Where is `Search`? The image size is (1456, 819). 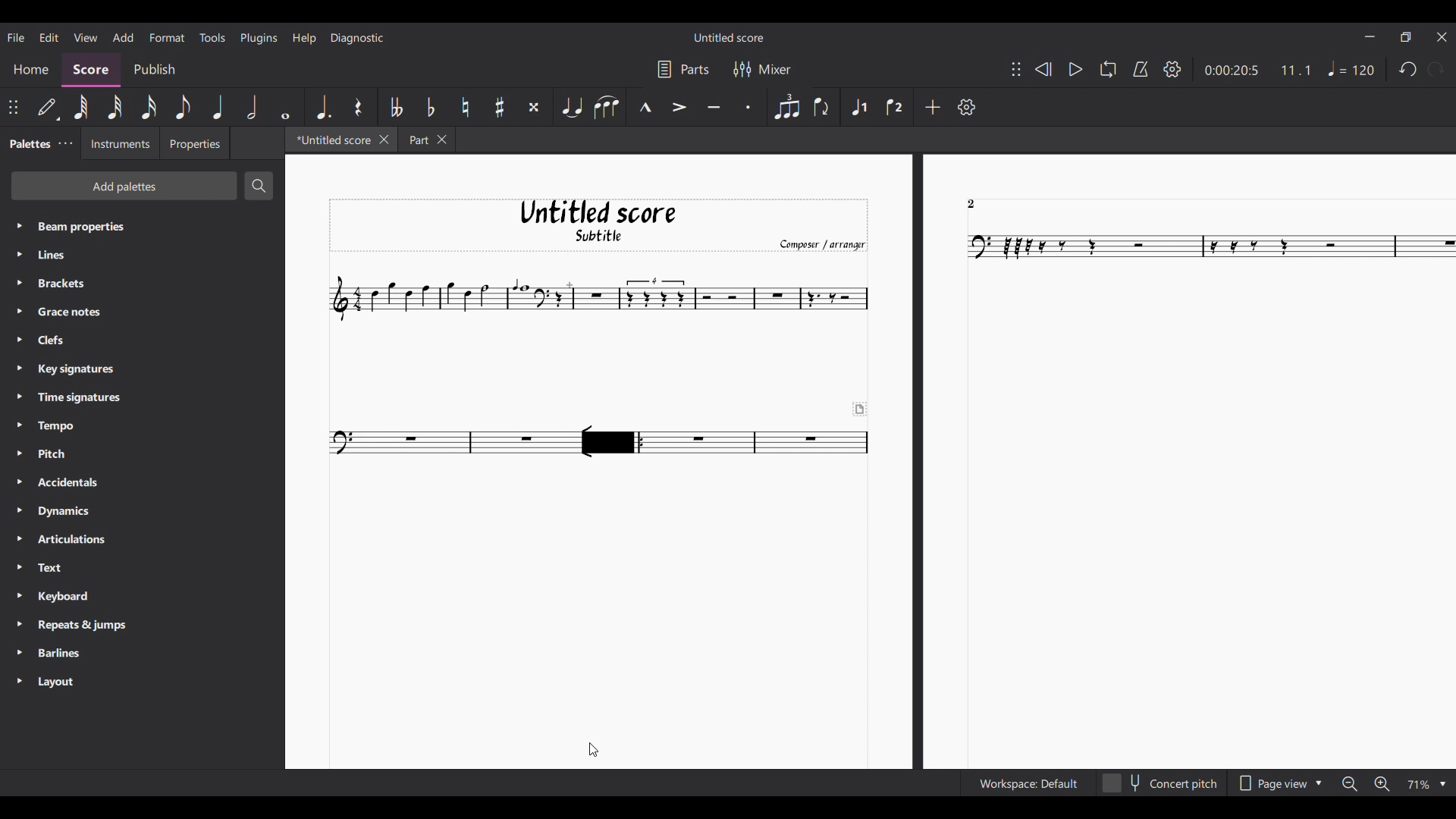
Search is located at coordinates (259, 185).